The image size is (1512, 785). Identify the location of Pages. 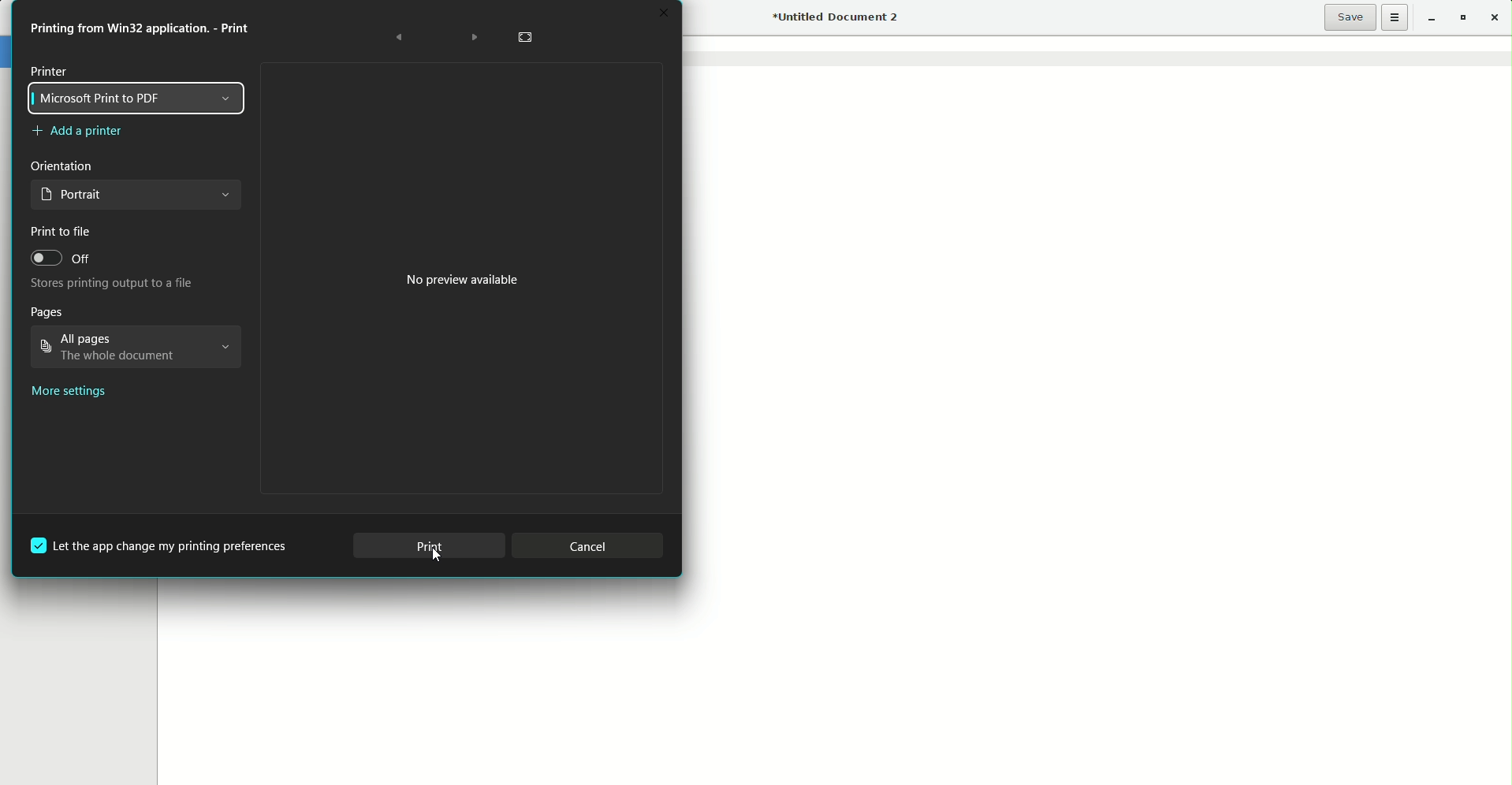
(47, 313).